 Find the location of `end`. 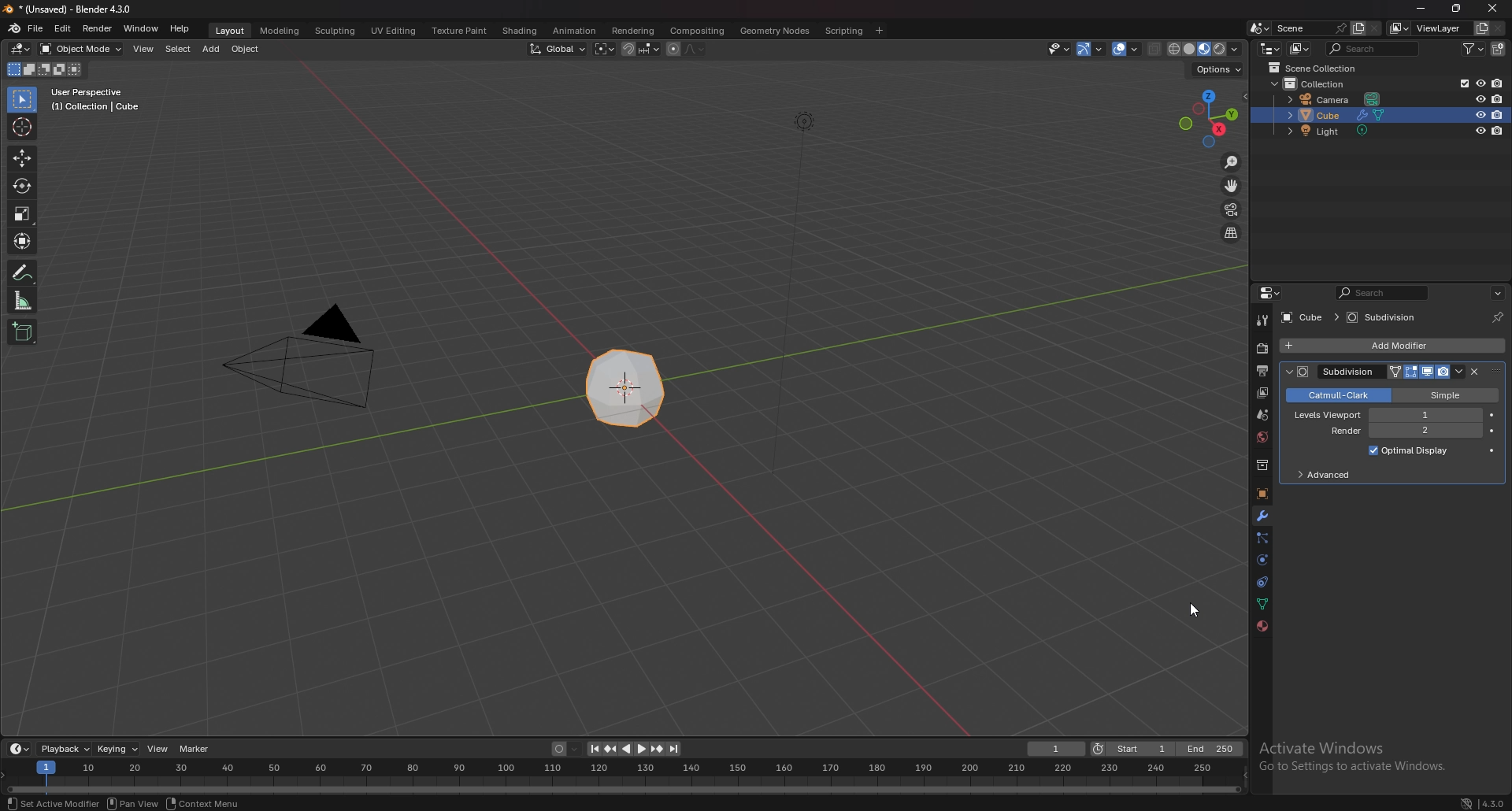

end is located at coordinates (1212, 748).